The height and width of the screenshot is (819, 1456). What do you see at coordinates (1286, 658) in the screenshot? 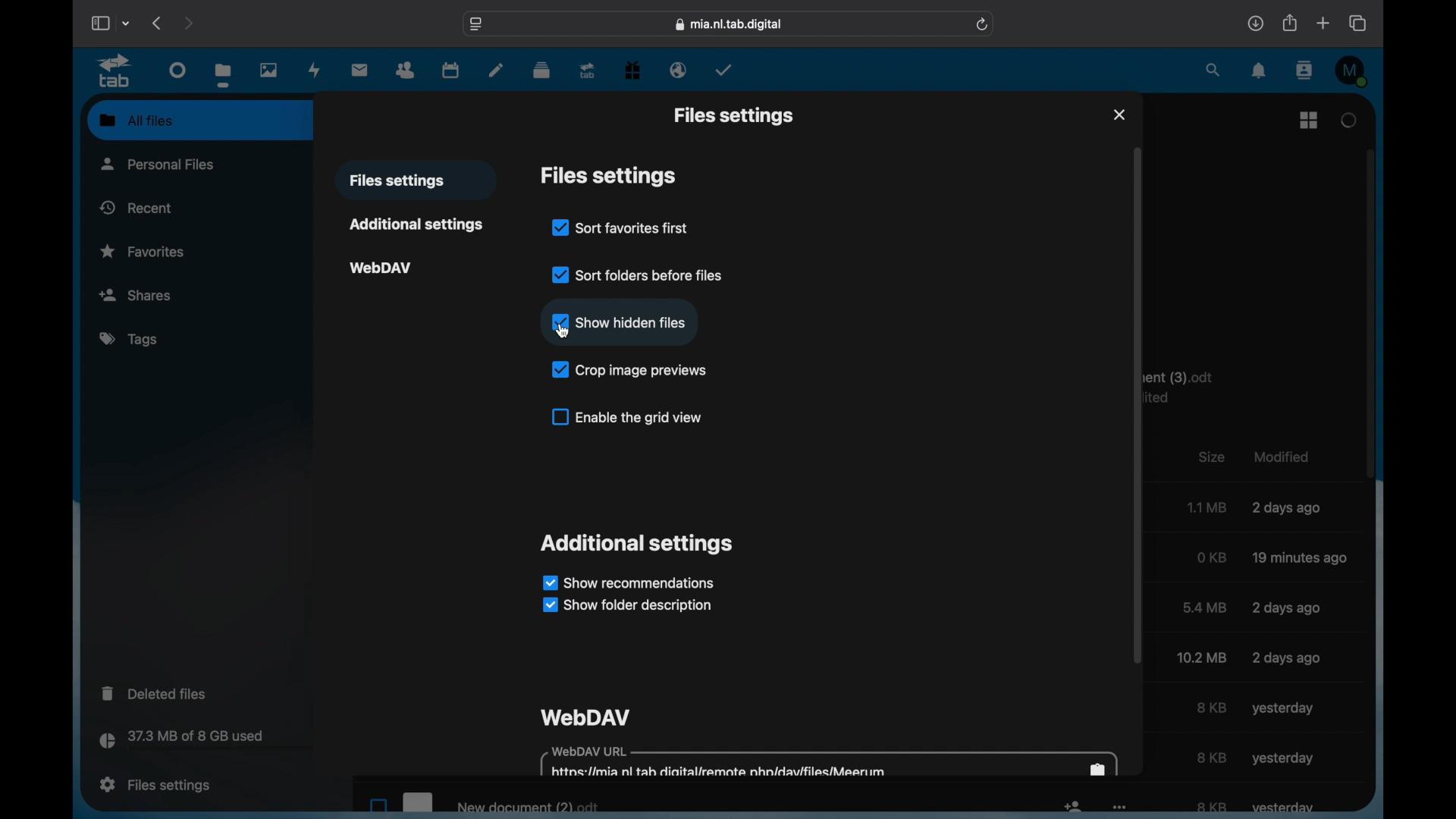
I see `modified` at bounding box center [1286, 658].